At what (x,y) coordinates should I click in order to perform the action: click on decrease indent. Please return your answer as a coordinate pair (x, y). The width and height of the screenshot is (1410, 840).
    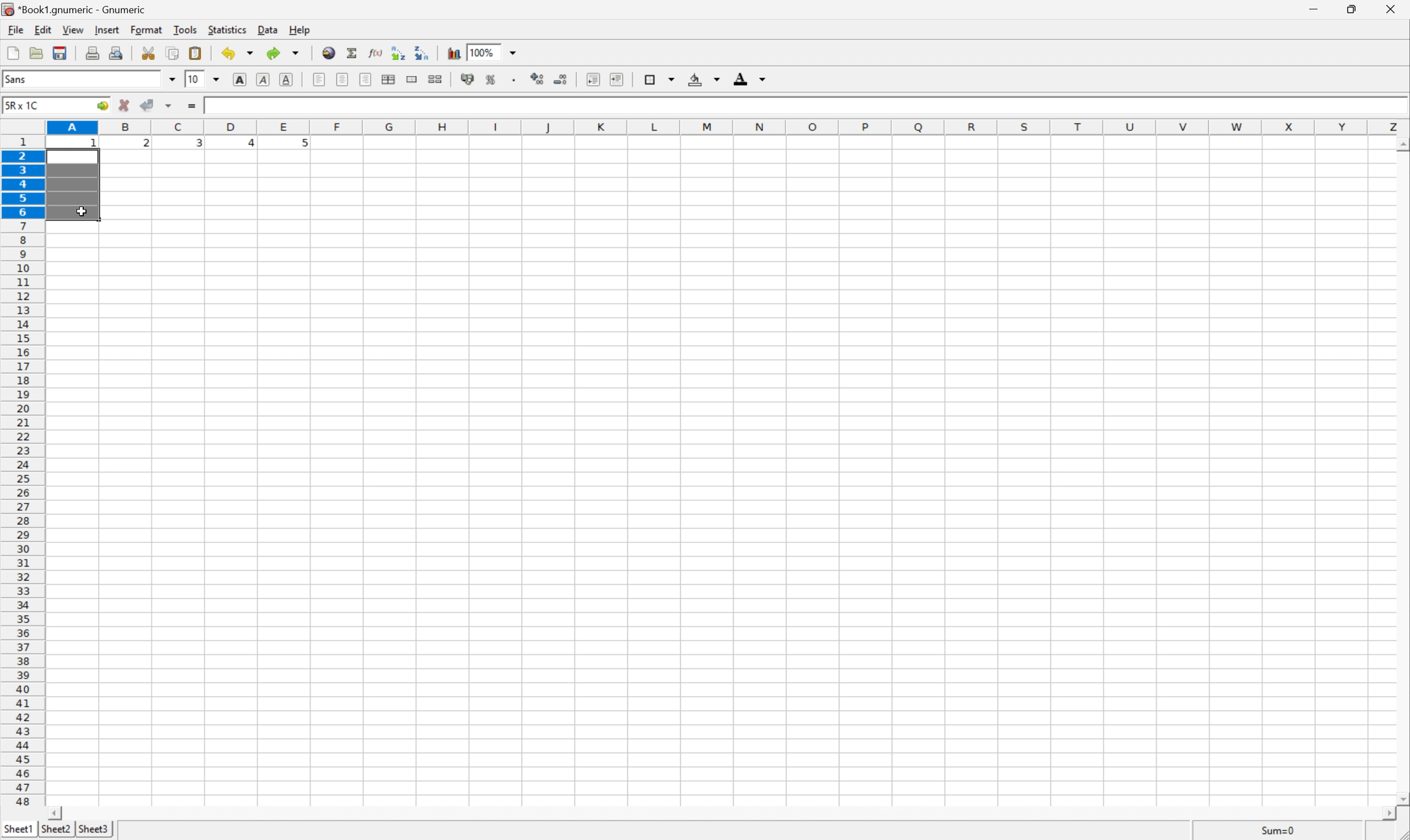
    Looking at the image, I should click on (593, 80).